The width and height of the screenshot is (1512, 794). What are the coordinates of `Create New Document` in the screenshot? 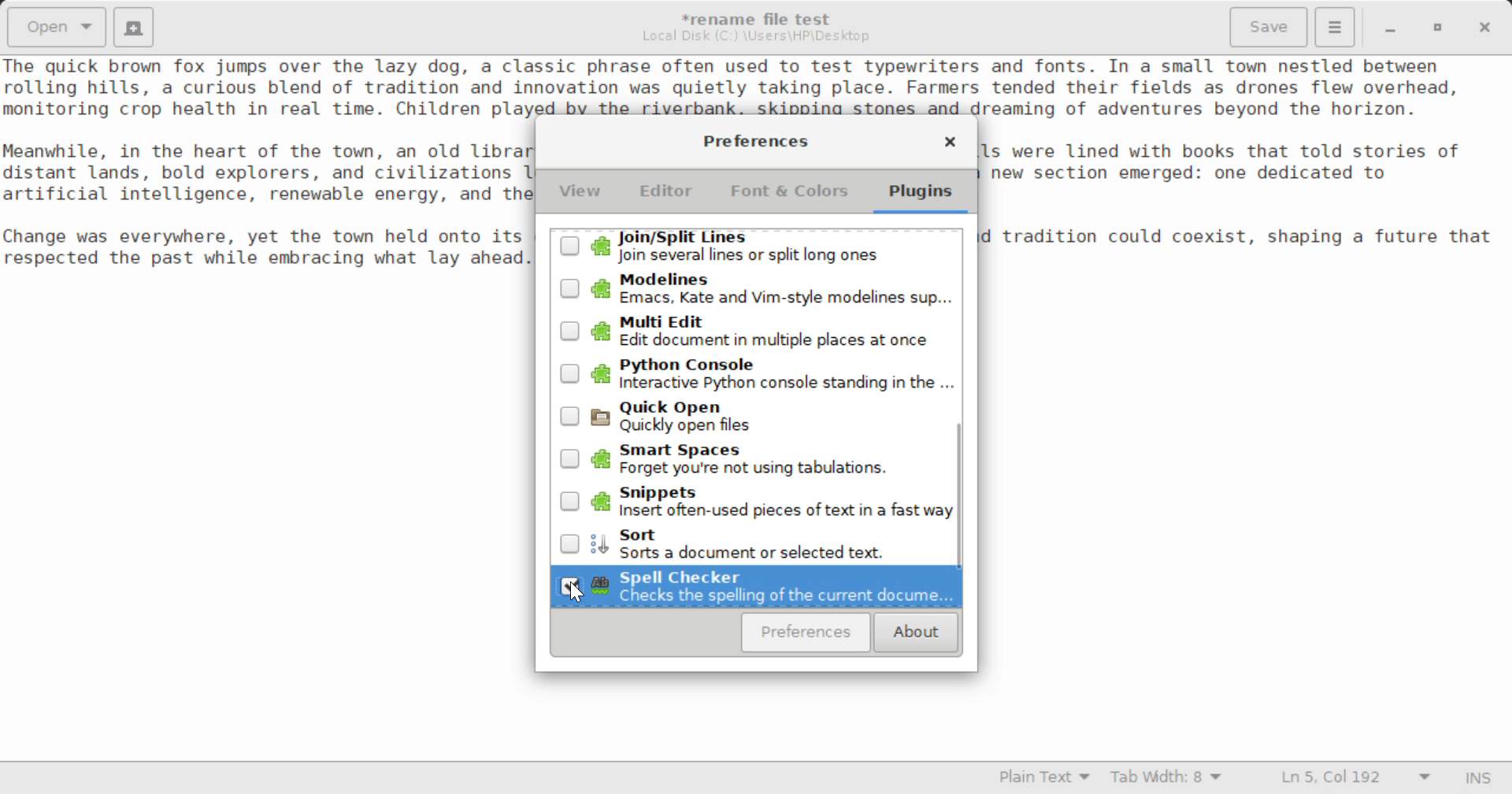 It's located at (132, 25).